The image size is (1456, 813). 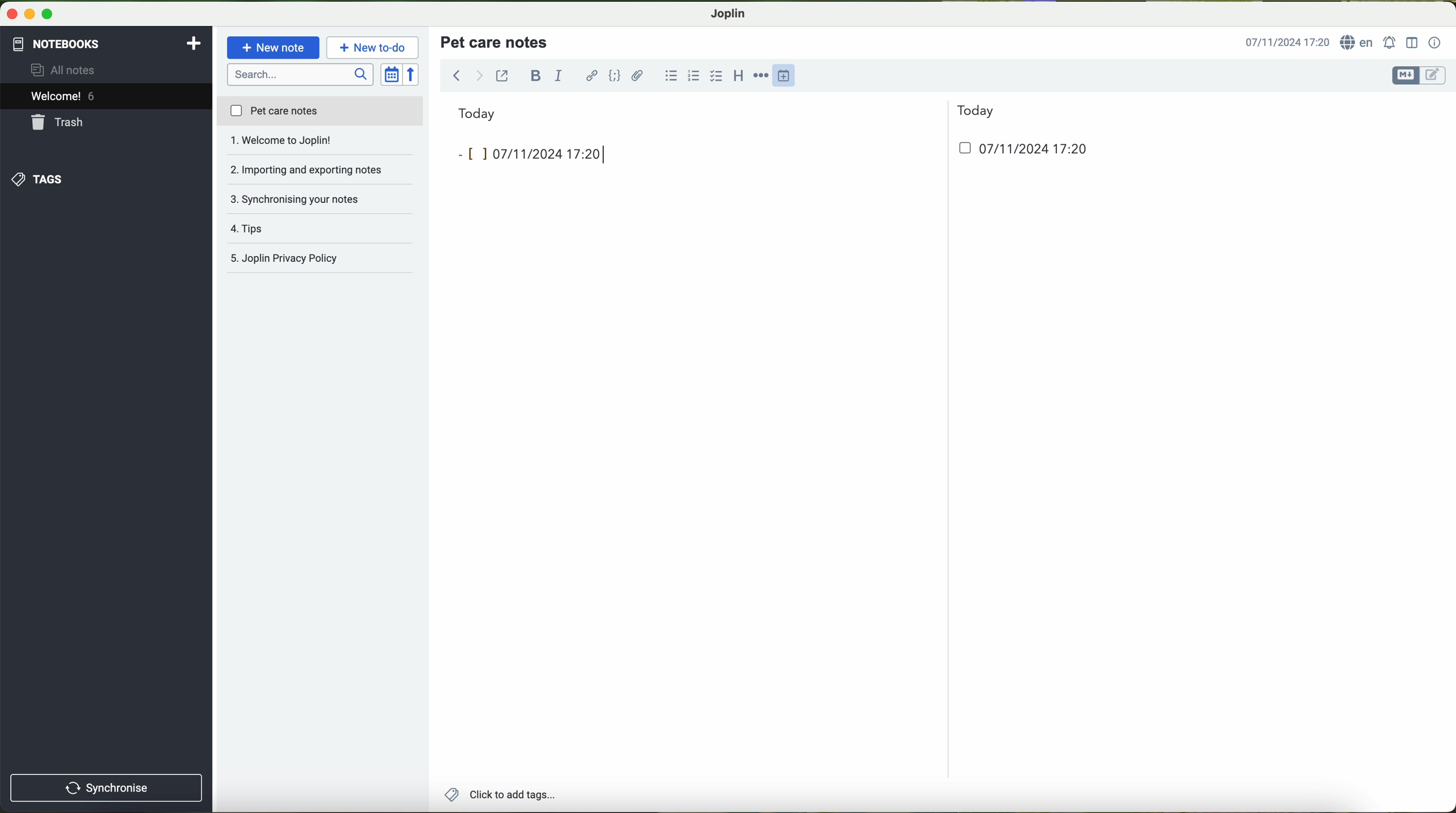 What do you see at coordinates (789, 75) in the screenshot?
I see `insert time` at bounding box center [789, 75].